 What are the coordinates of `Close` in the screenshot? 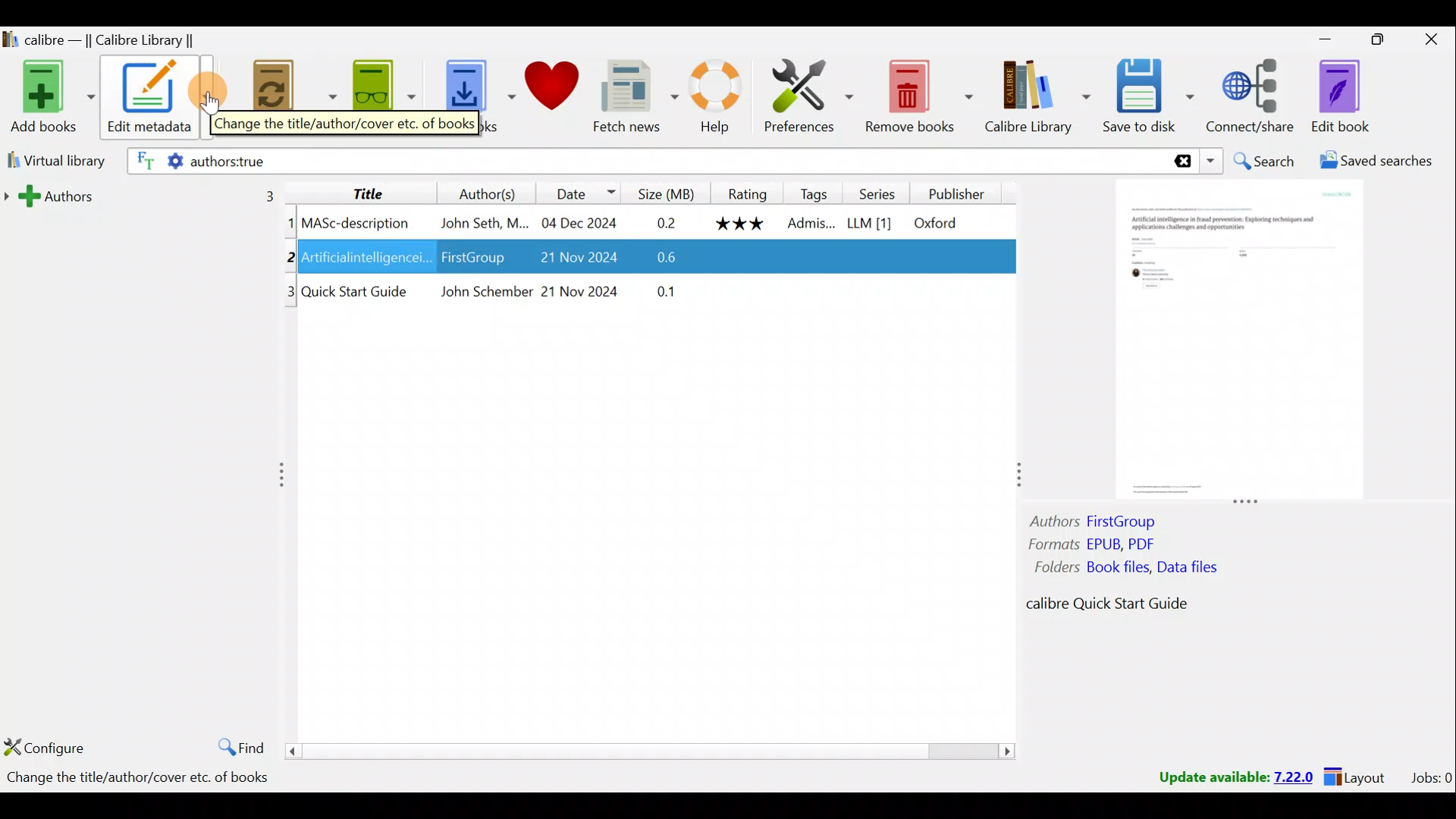 It's located at (1426, 42).